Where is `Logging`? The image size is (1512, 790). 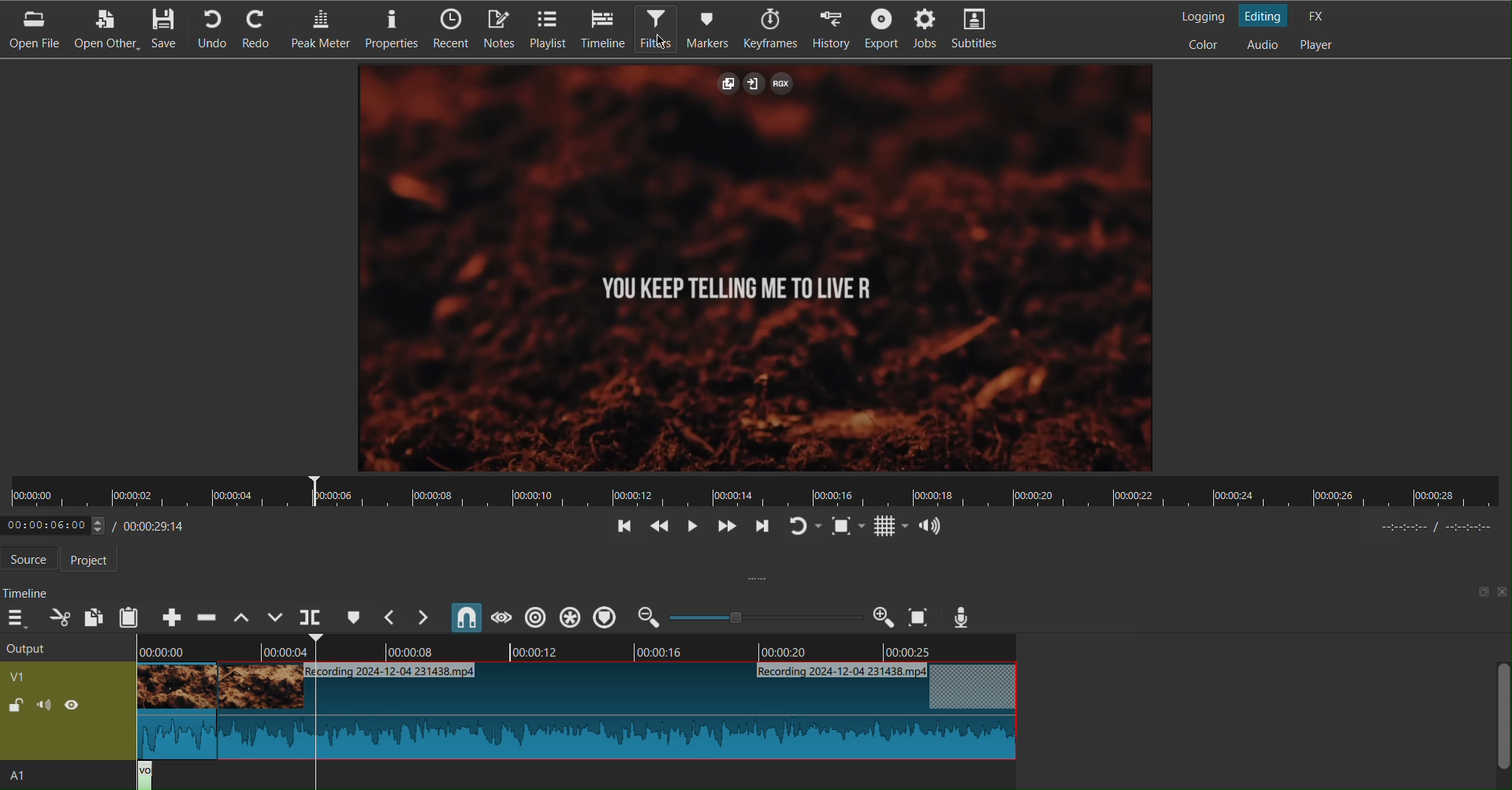
Logging is located at coordinates (1198, 13).